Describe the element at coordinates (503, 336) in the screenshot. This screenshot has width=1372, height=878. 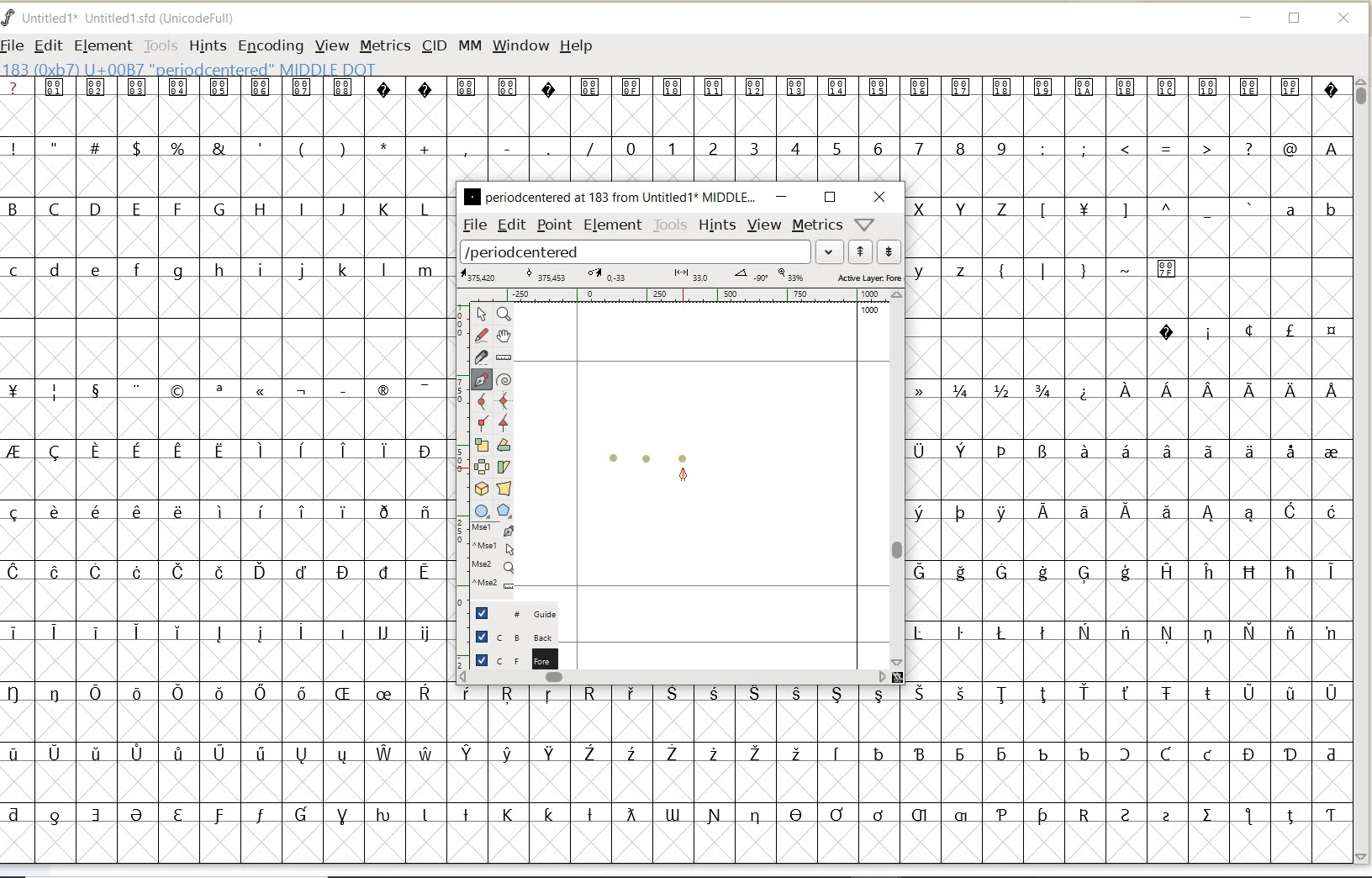
I see `scroll by hand` at that location.